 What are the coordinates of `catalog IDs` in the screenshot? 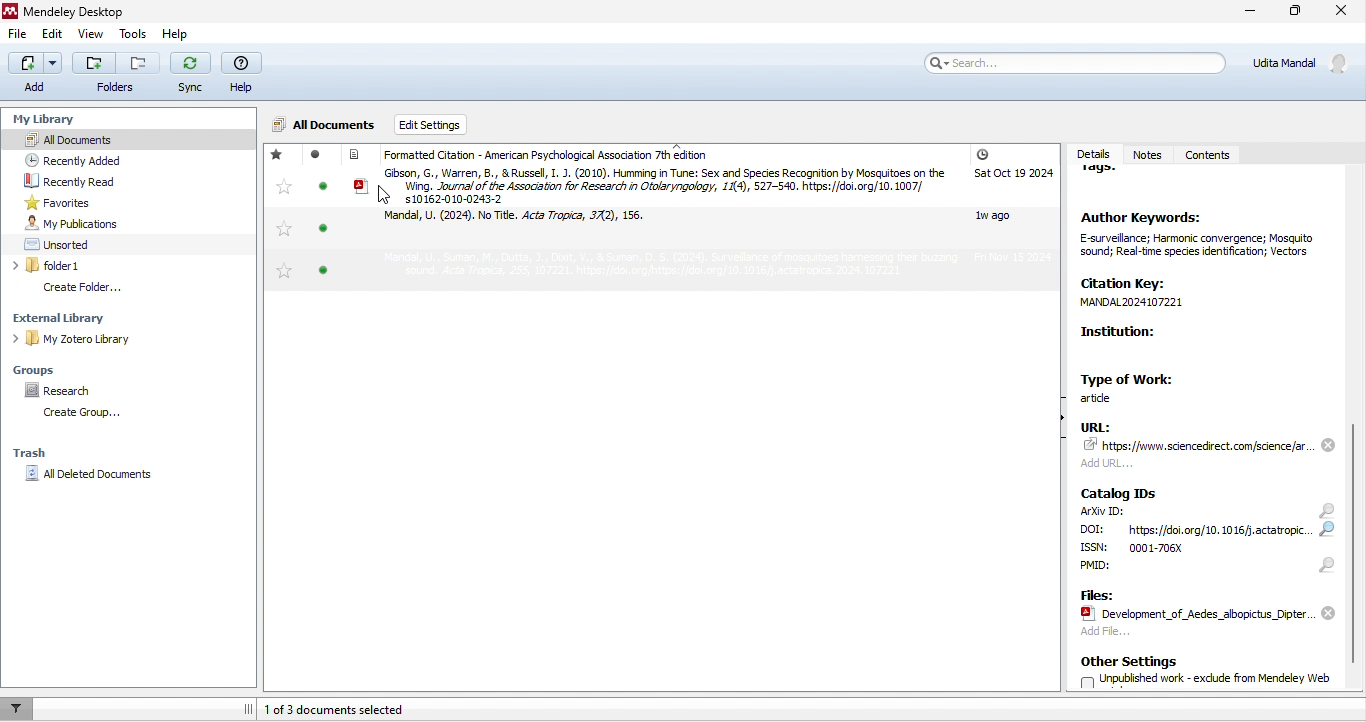 It's located at (1122, 492).